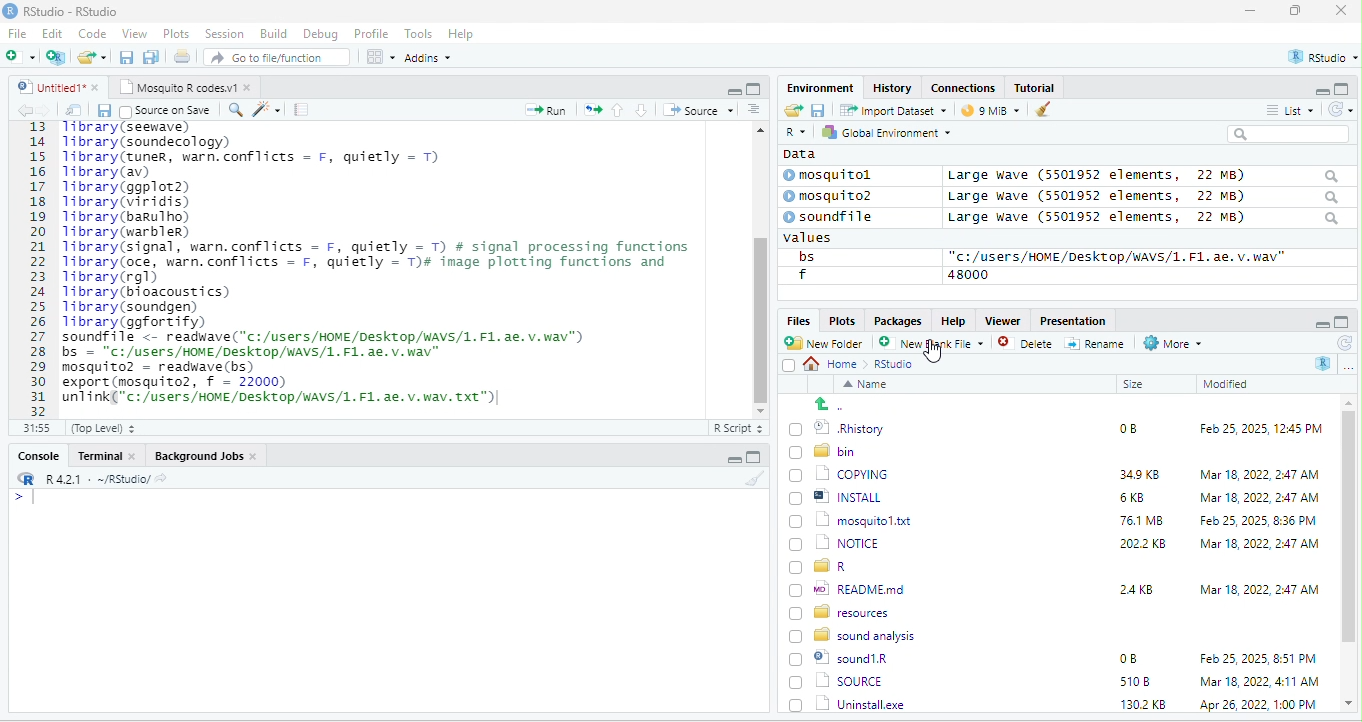 This screenshot has width=1362, height=722. I want to click on rstudio, so click(1319, 58).